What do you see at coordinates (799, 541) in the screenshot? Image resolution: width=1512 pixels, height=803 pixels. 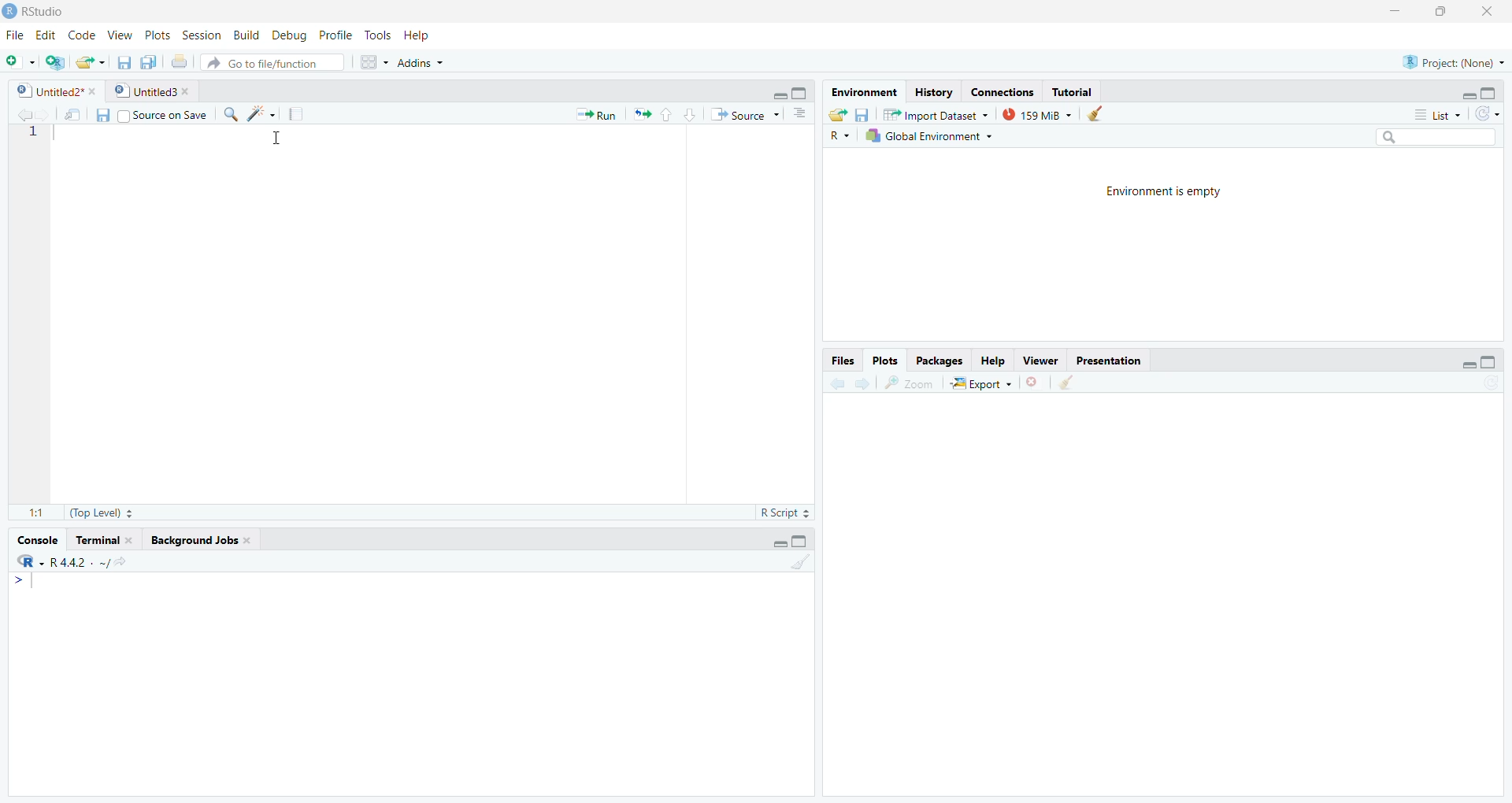 I see `Maximize` at bounding box center [799, 541].